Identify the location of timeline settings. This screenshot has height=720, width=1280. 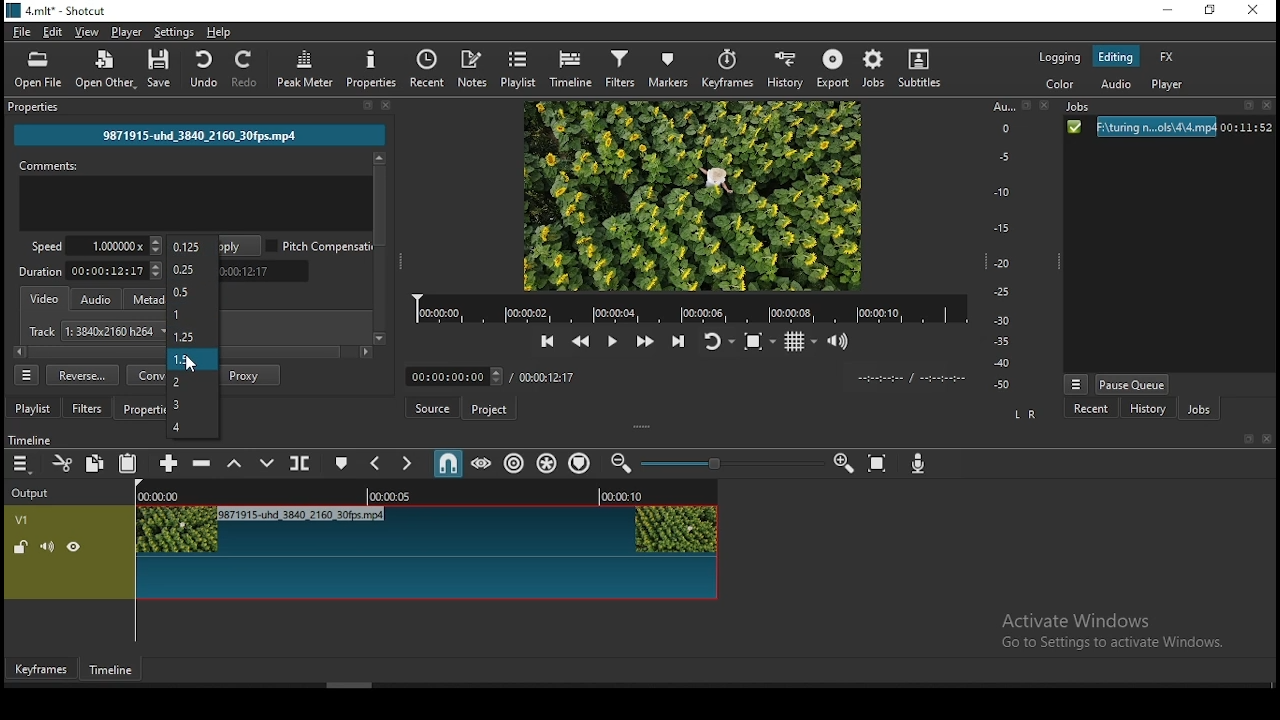
(23, 463).